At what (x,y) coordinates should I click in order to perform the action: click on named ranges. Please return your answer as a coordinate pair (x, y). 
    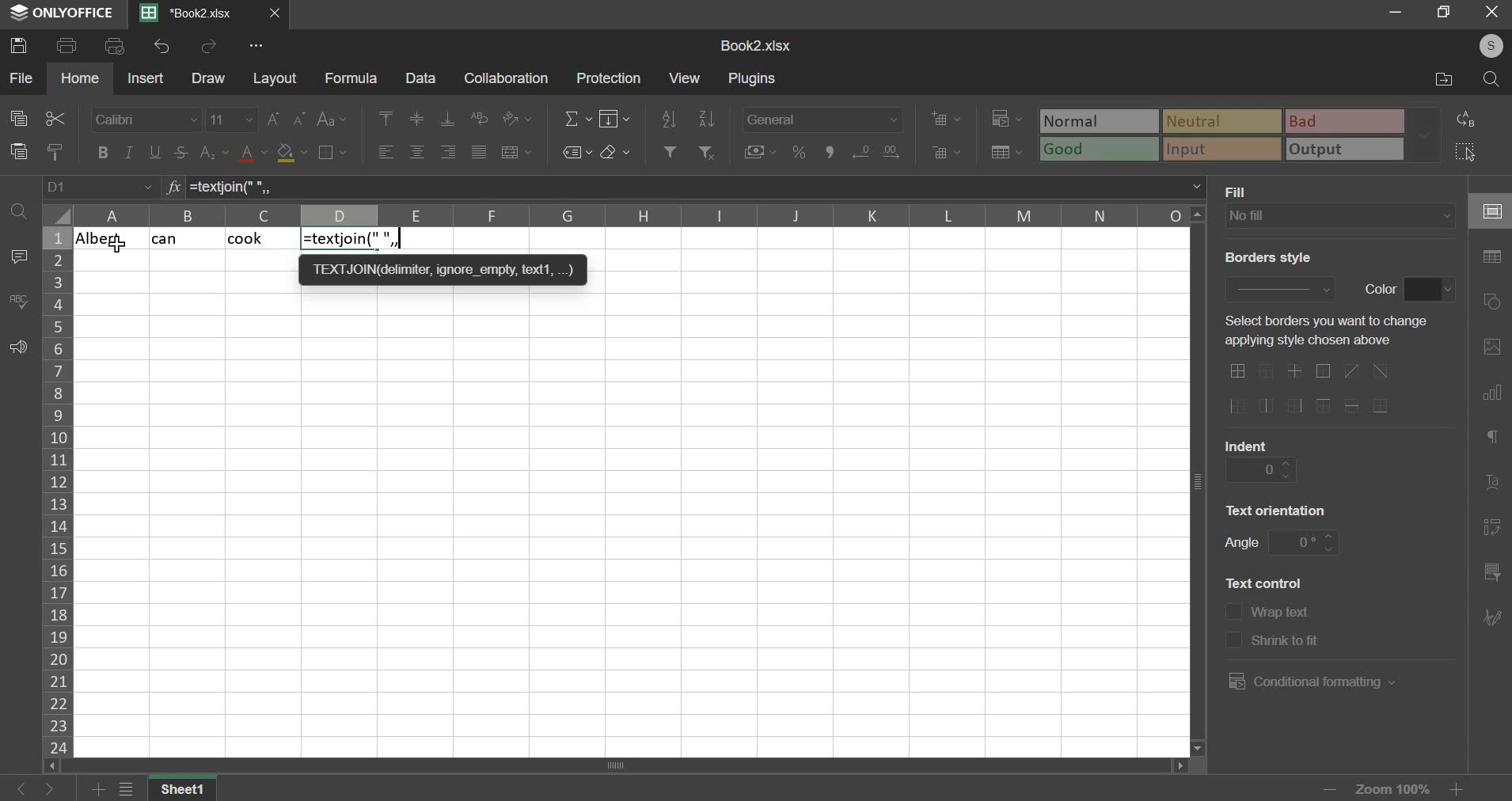
    Looking at the image, I should click on (576, 152).